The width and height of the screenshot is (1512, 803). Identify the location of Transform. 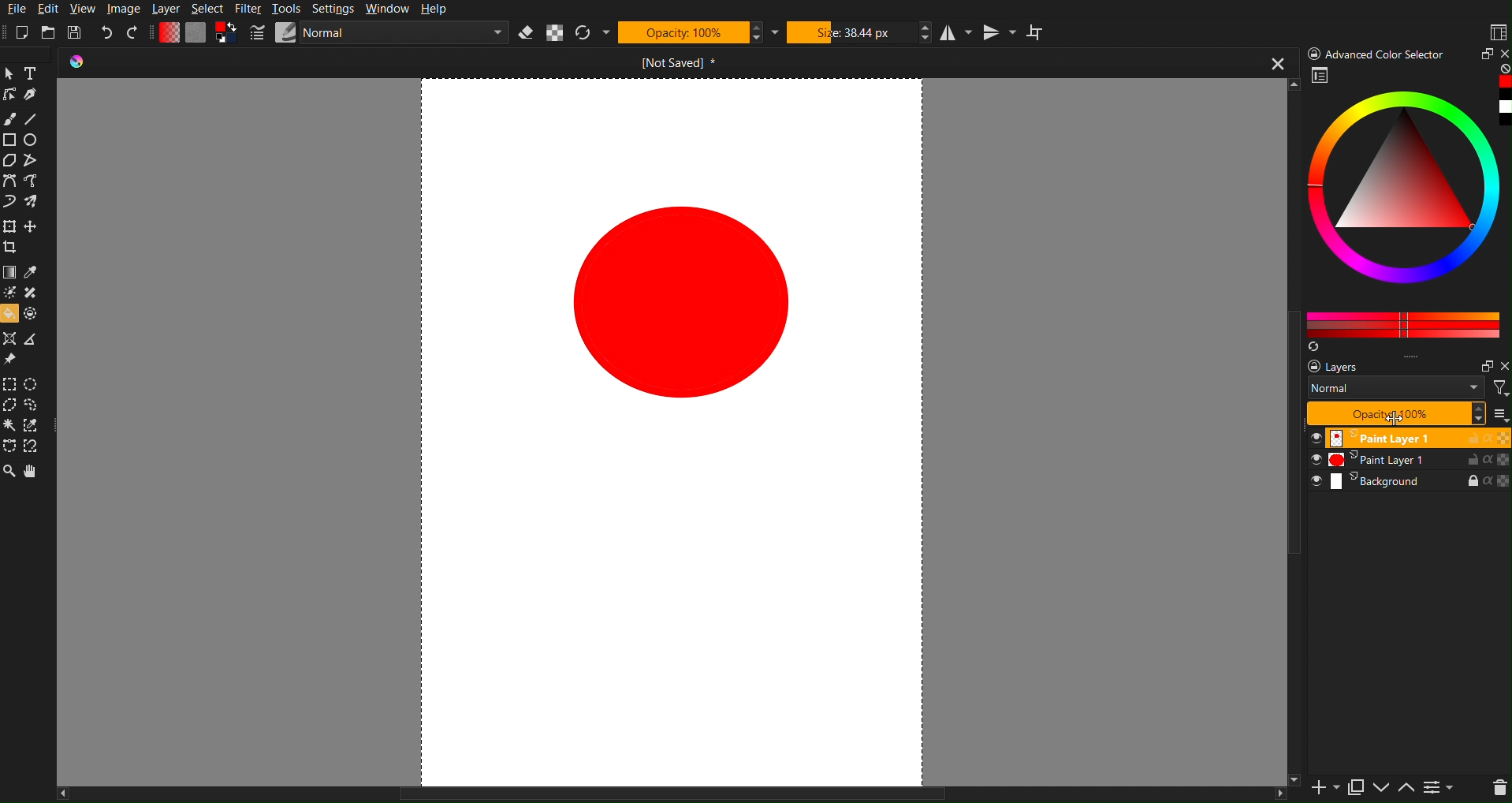
(9, 226).